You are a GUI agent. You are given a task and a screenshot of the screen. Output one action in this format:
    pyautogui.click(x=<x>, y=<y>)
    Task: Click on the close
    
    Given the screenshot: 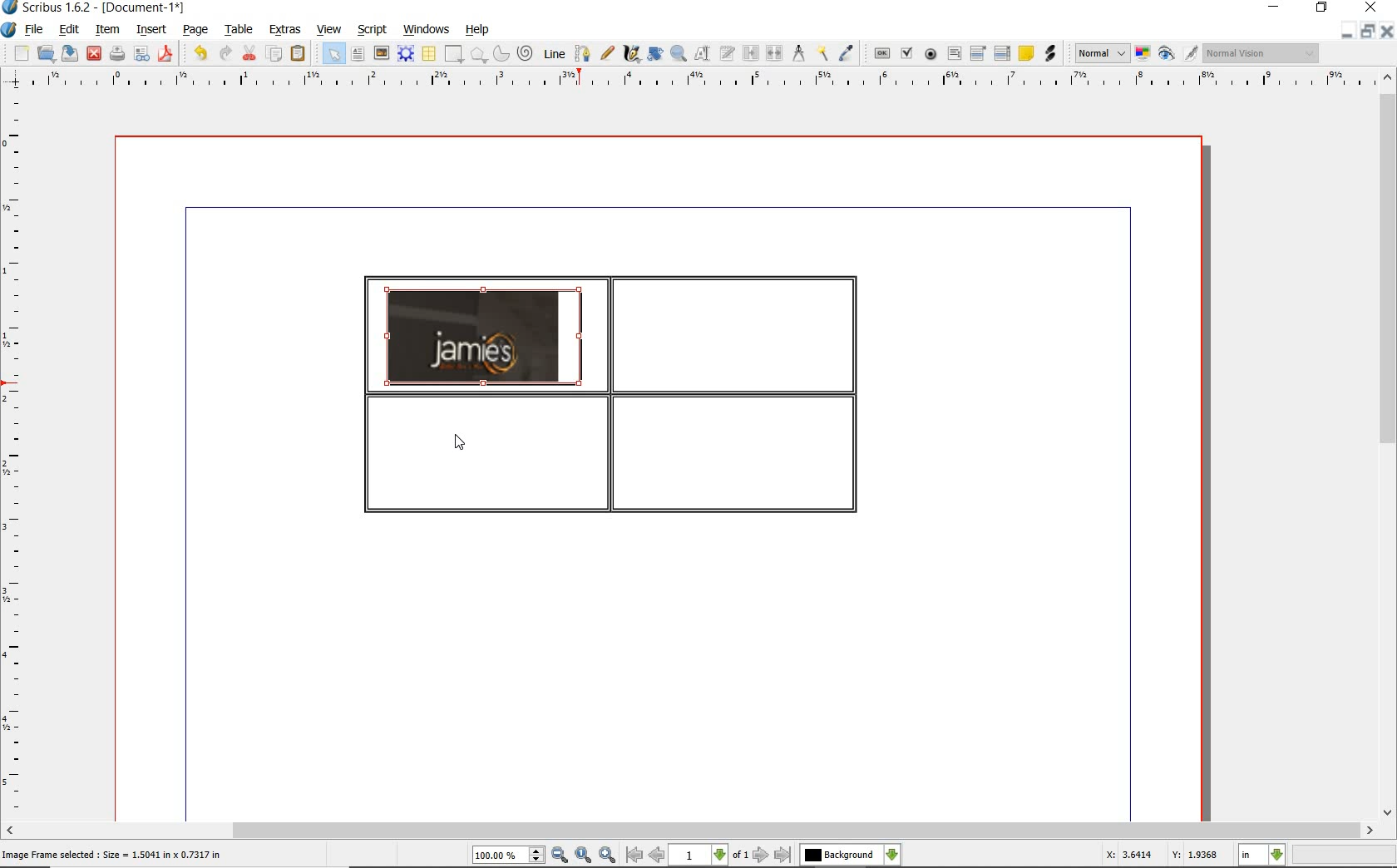 What is the action you would take?
    pyautogui.click(x=1386, y=32)
    